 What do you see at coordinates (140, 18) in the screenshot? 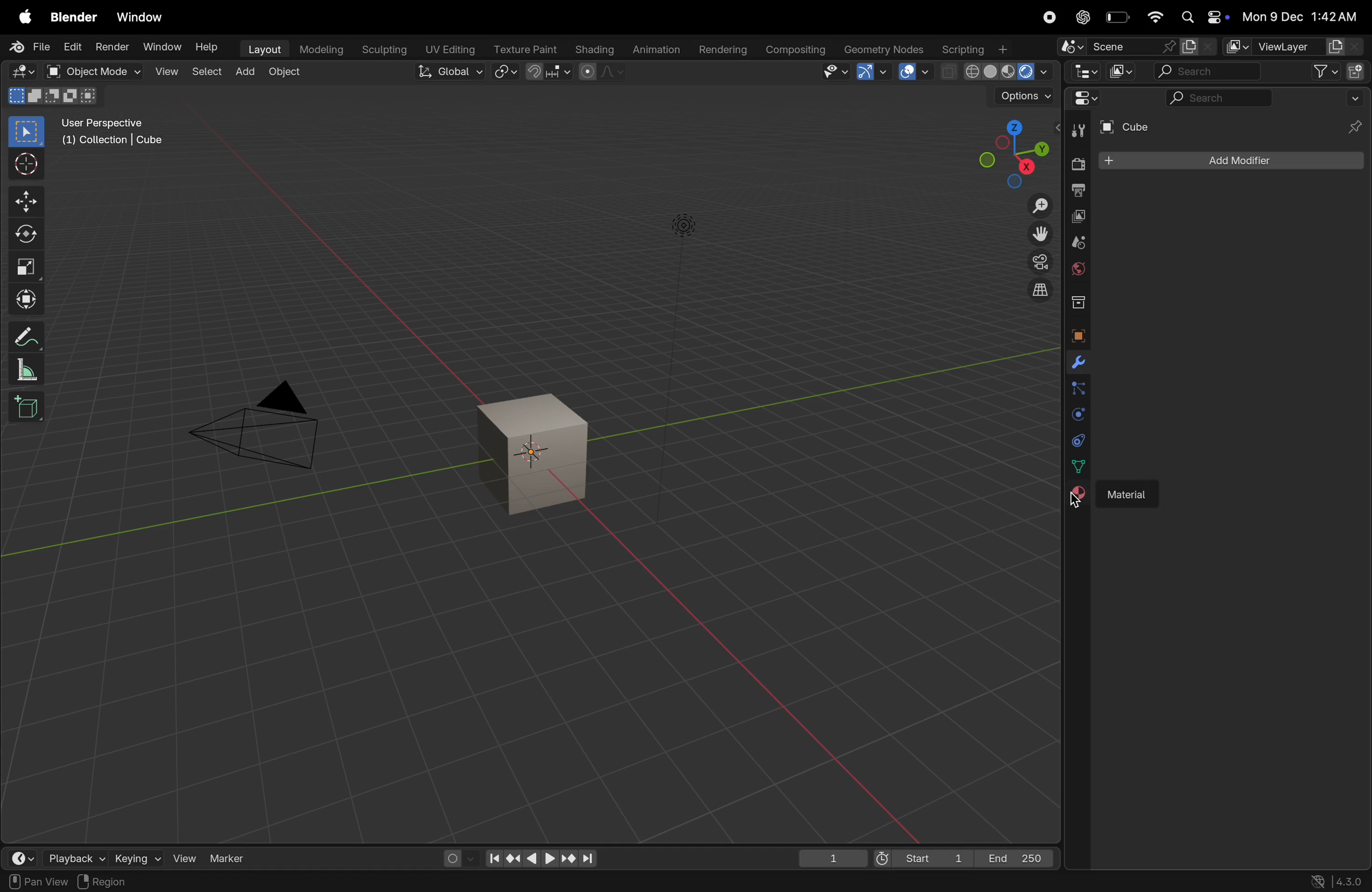
I see `Window` at bounding box center [140, 18].